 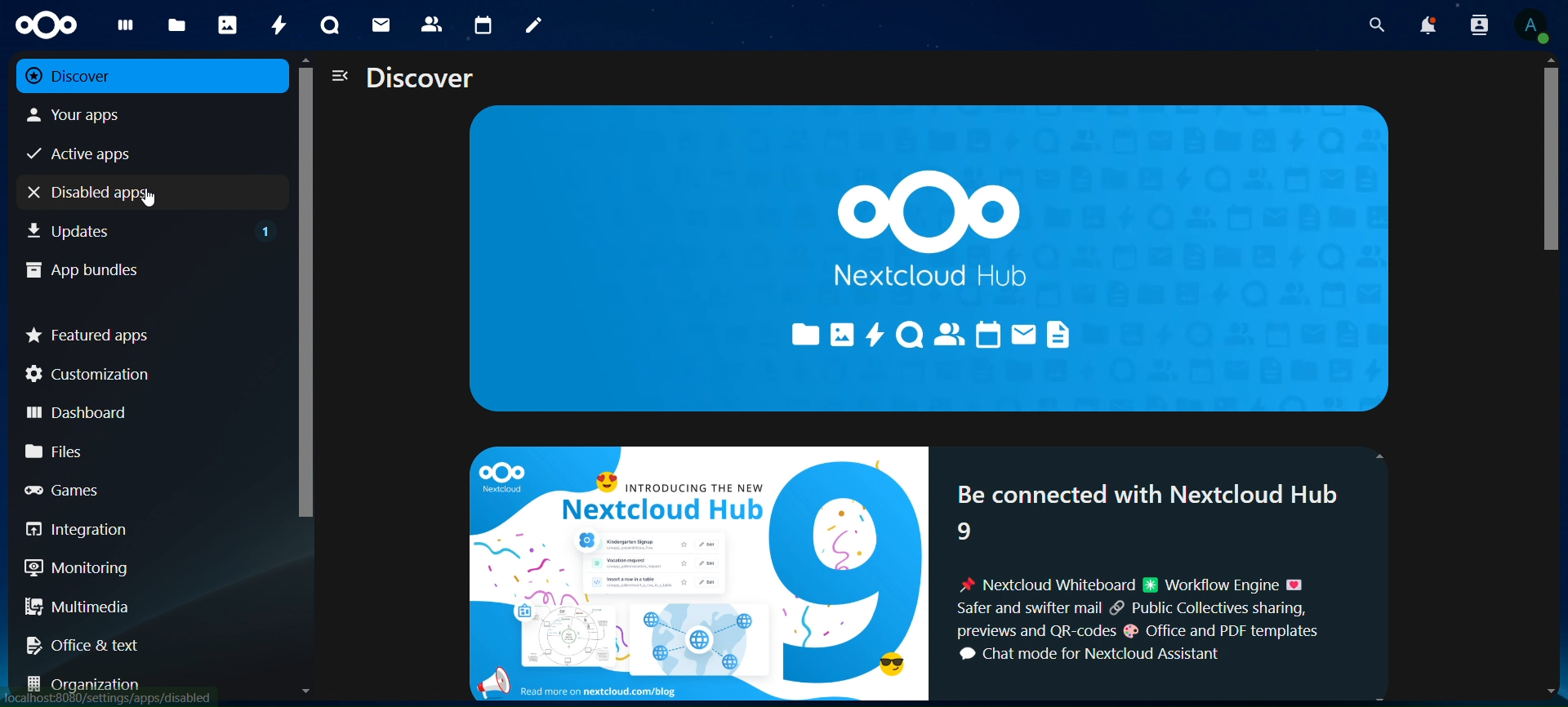 What do you see at coordinates (1548, 167) in the screenshot?
I see `scrollbar` at bounding box center [1548, 167].